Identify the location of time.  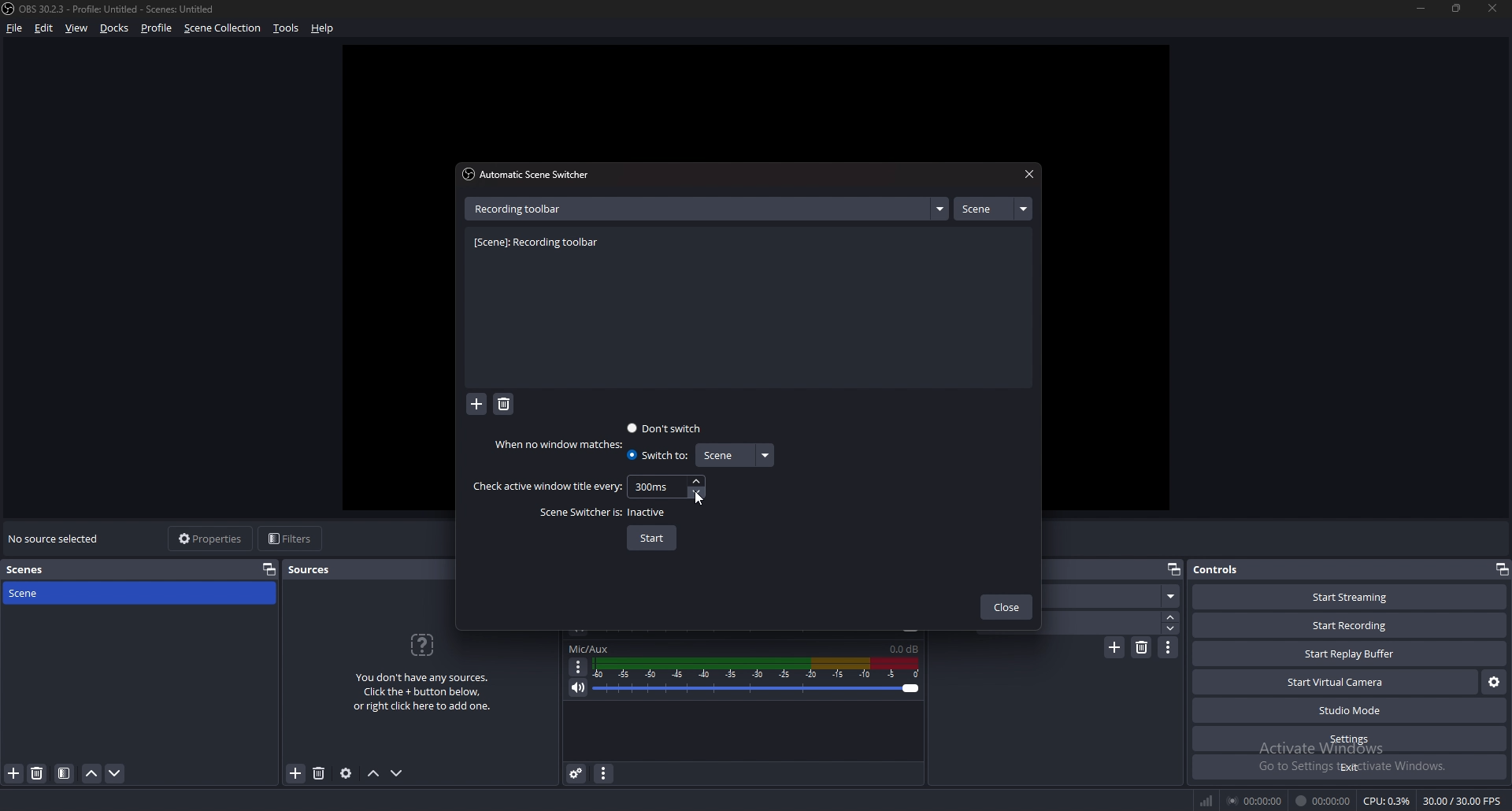
(653, 486).